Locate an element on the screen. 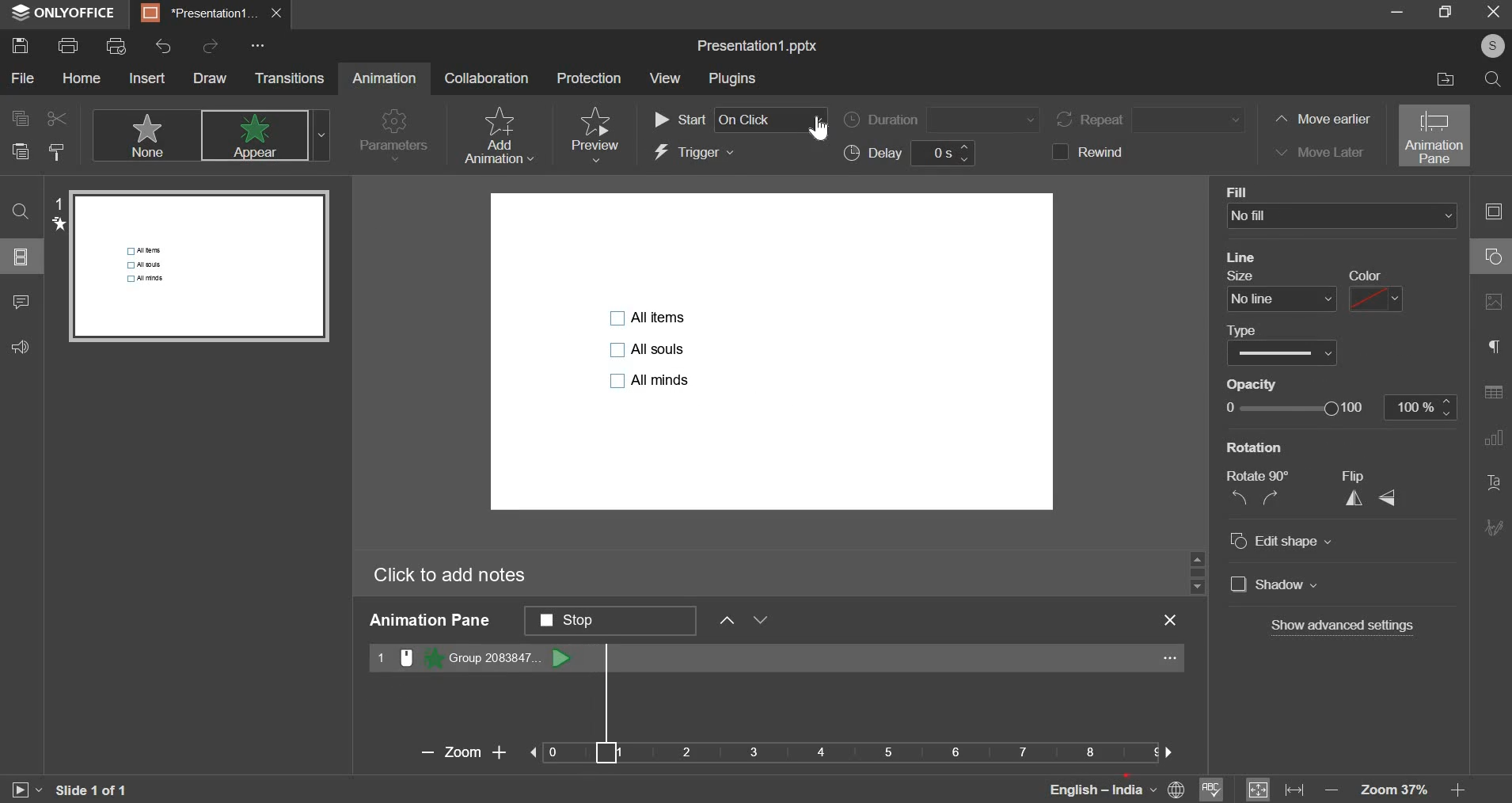  delay is located at coordinates (913, 154).